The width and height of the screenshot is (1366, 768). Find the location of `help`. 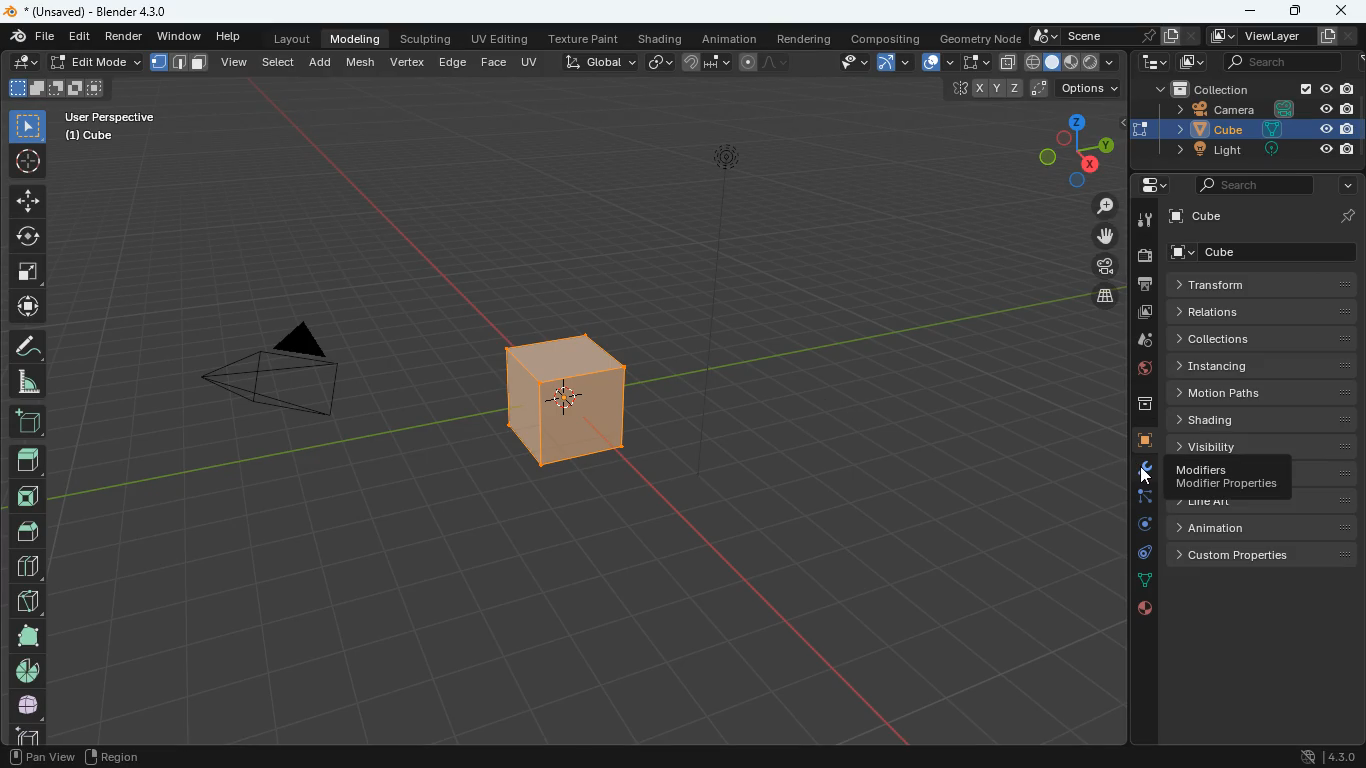

help is located at coordinates (231, 33).